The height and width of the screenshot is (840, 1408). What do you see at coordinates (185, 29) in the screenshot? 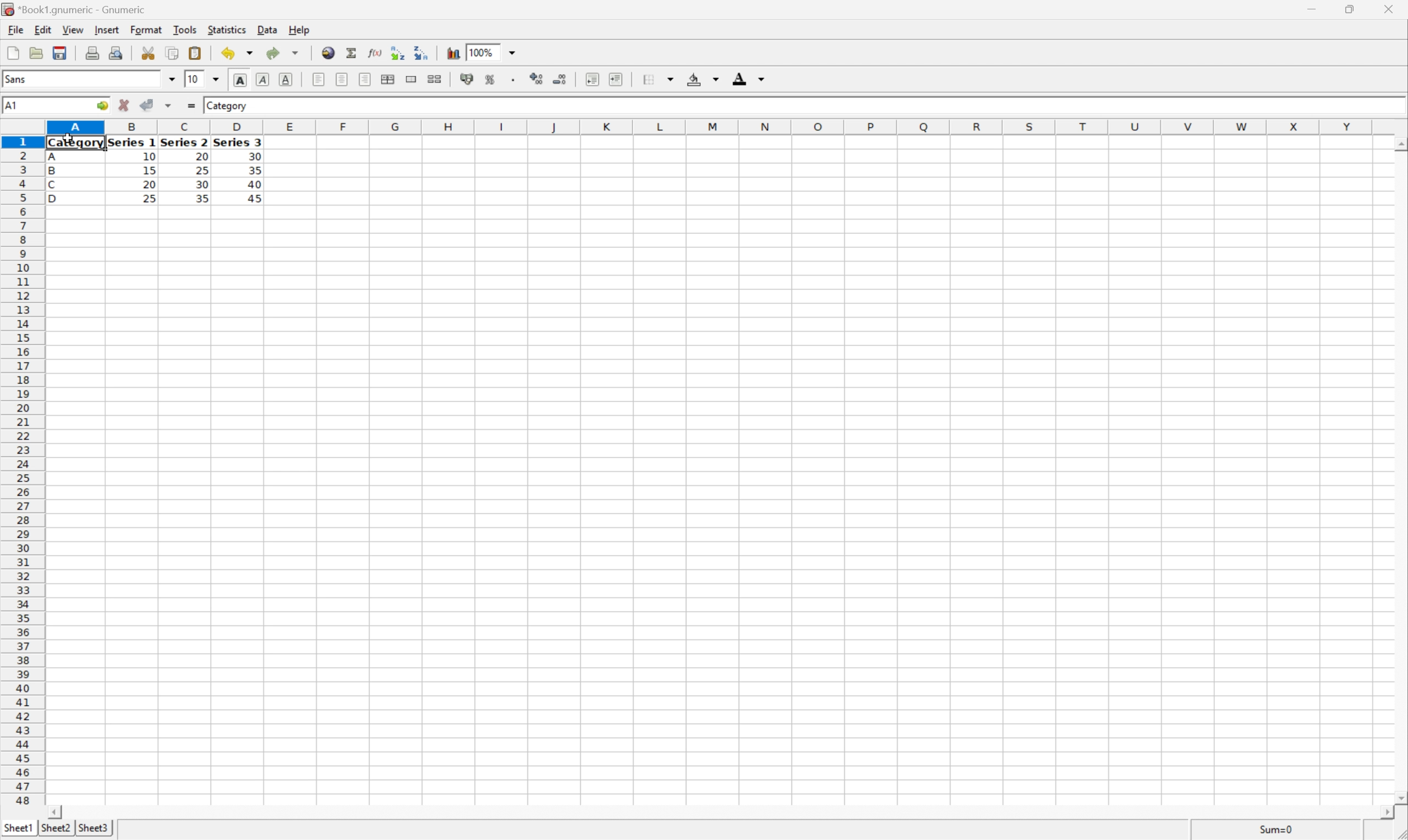
I see `Tools` at bounding box center [185, 29].